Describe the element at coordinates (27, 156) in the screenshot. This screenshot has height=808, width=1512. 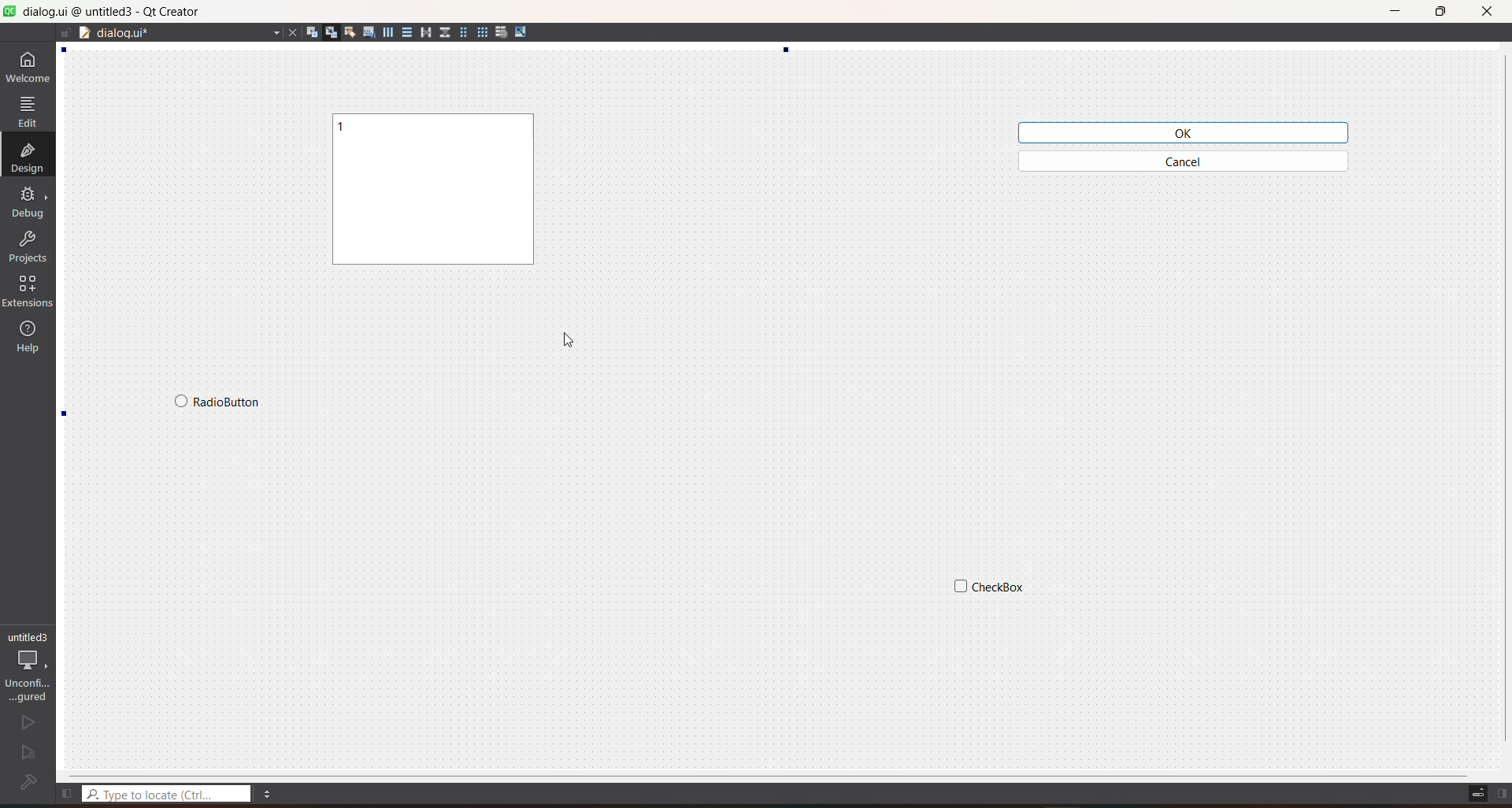
I see `design` at that location.